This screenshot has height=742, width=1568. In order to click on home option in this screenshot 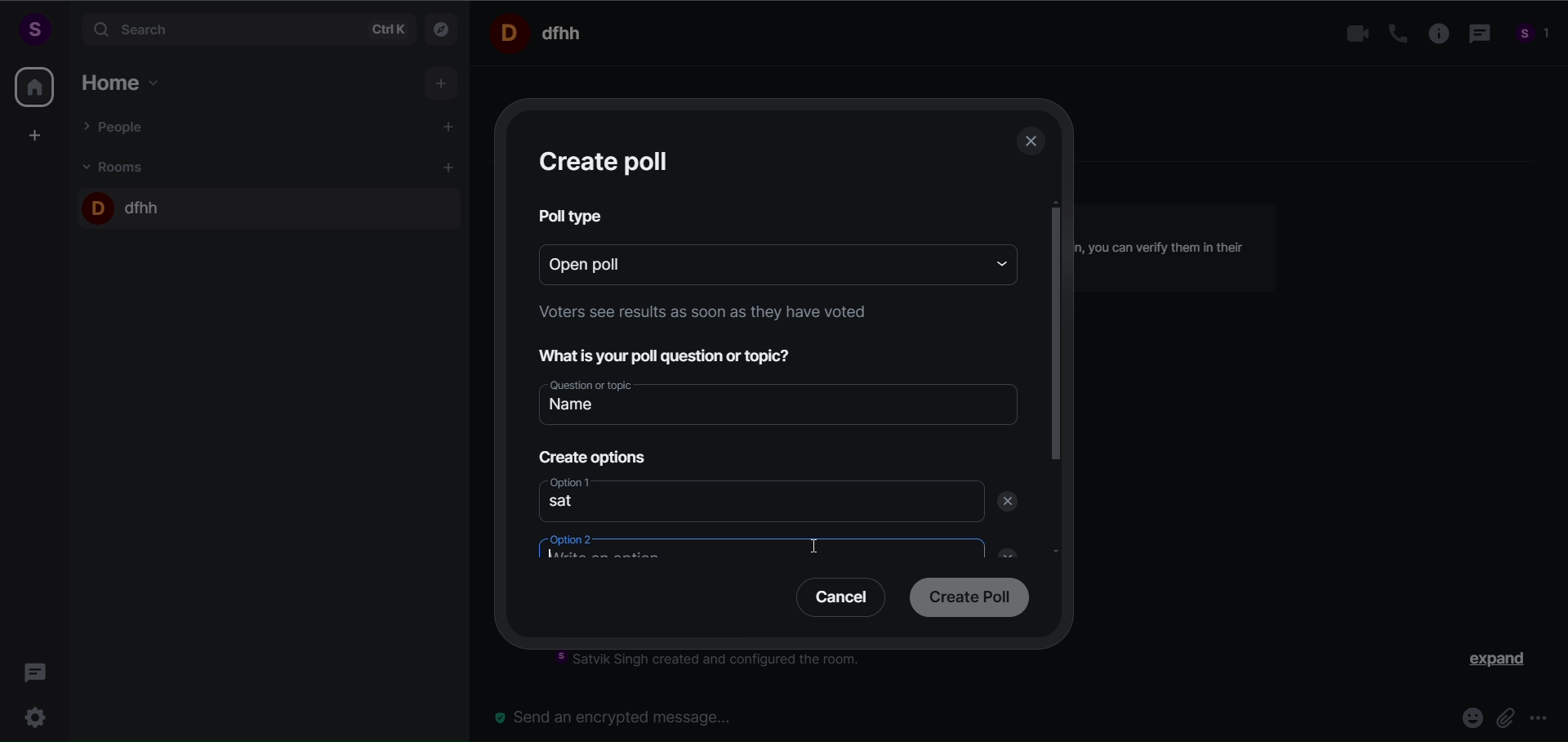, I will do `click(127, 80)`.